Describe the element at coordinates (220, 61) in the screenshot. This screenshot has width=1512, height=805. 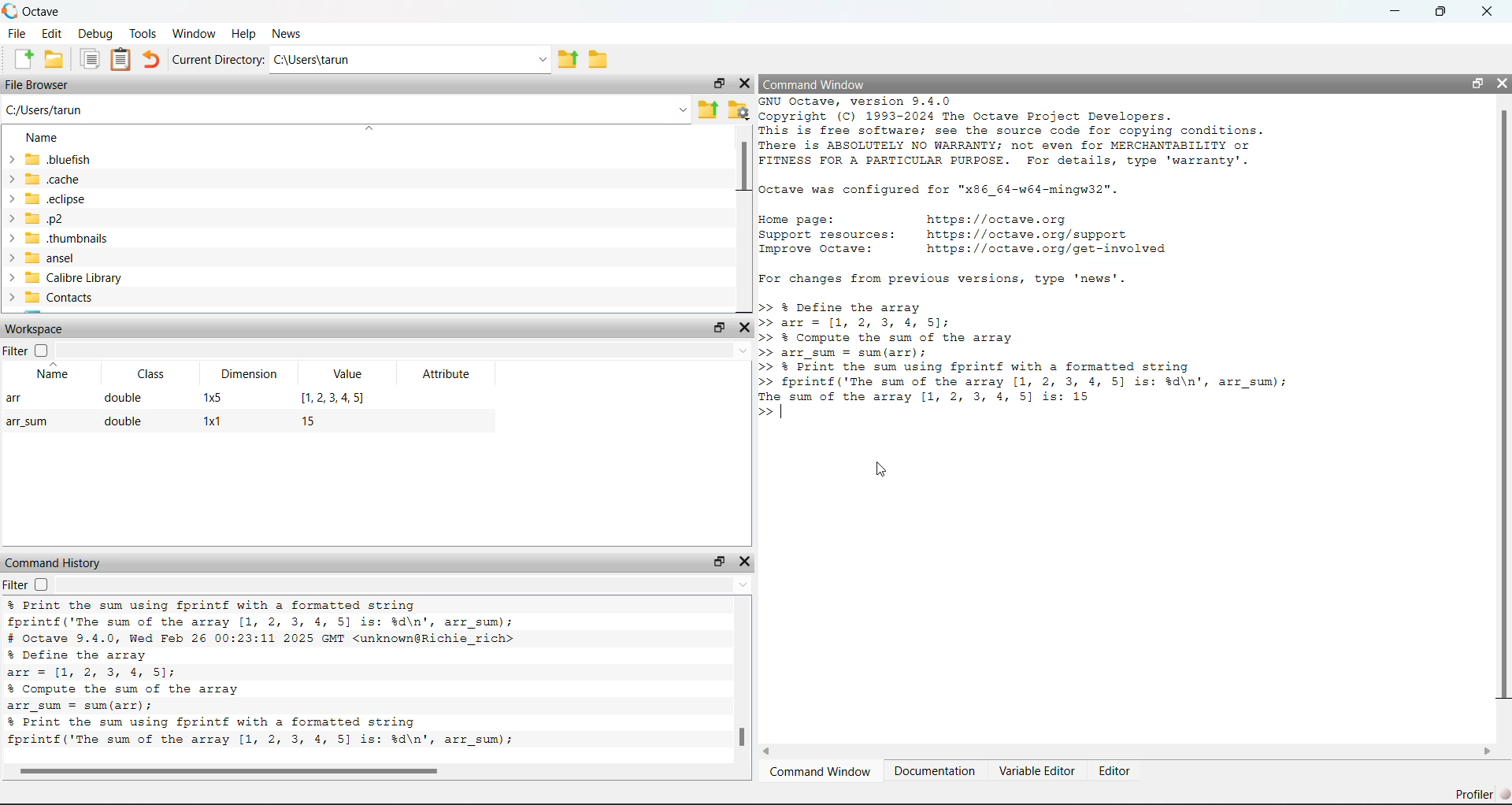
I see `Current Directory:` at that location.